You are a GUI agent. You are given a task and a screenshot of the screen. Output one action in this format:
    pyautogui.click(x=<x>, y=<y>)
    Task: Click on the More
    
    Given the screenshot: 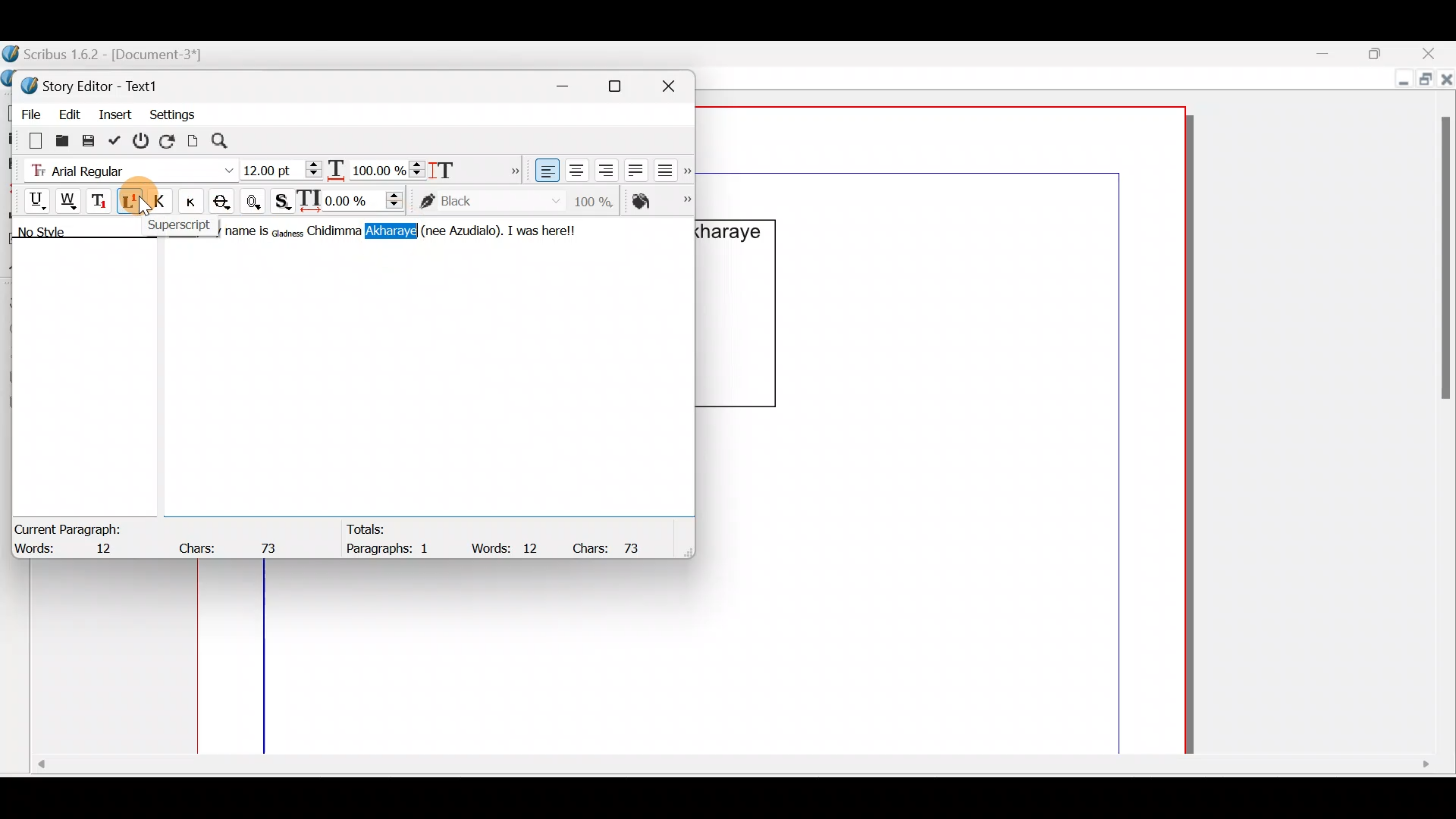 What is the action you would take?
    pyautogui.click(x=511, y=168)
    